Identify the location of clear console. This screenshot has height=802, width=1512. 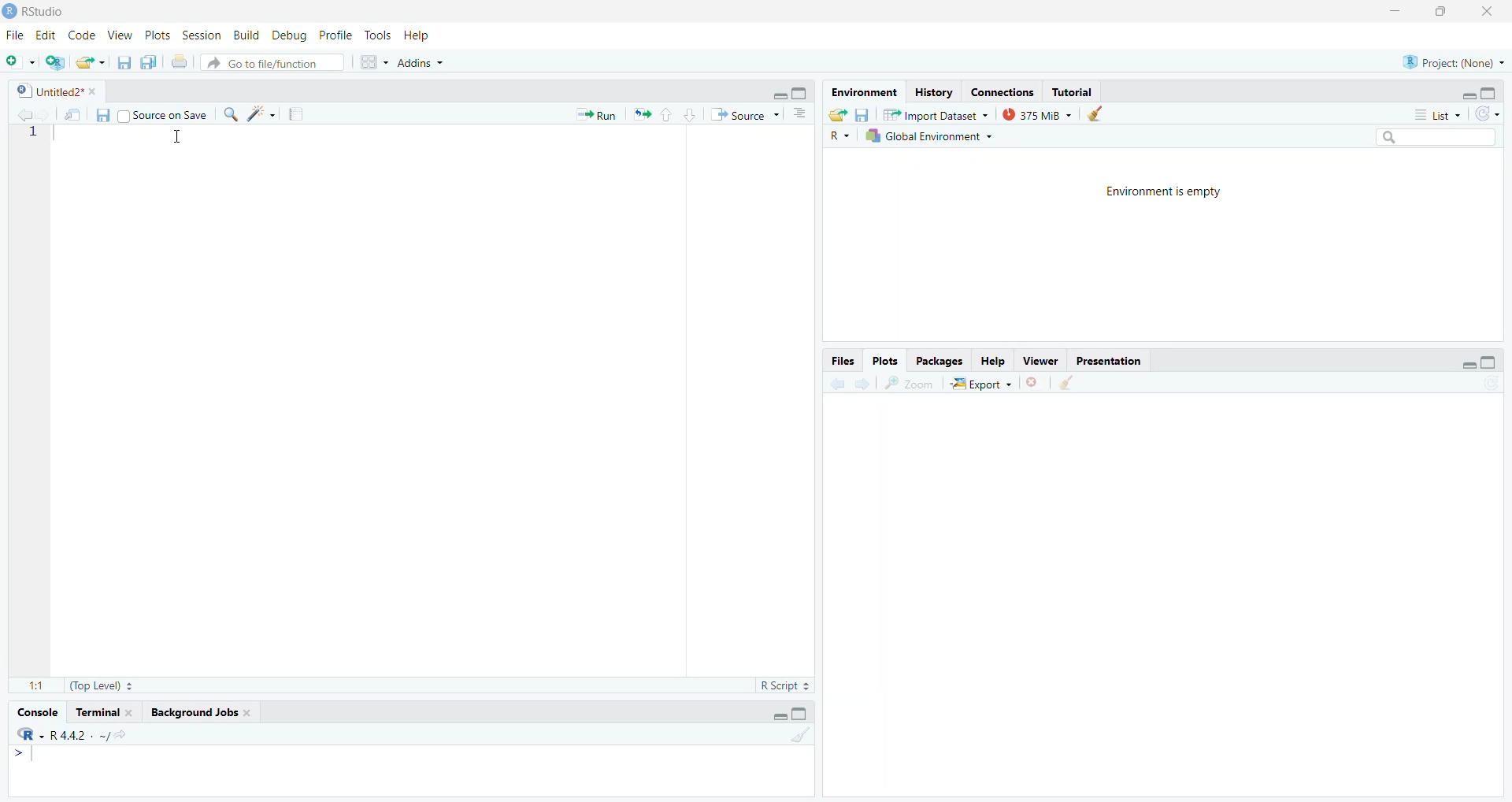
(802, 737).